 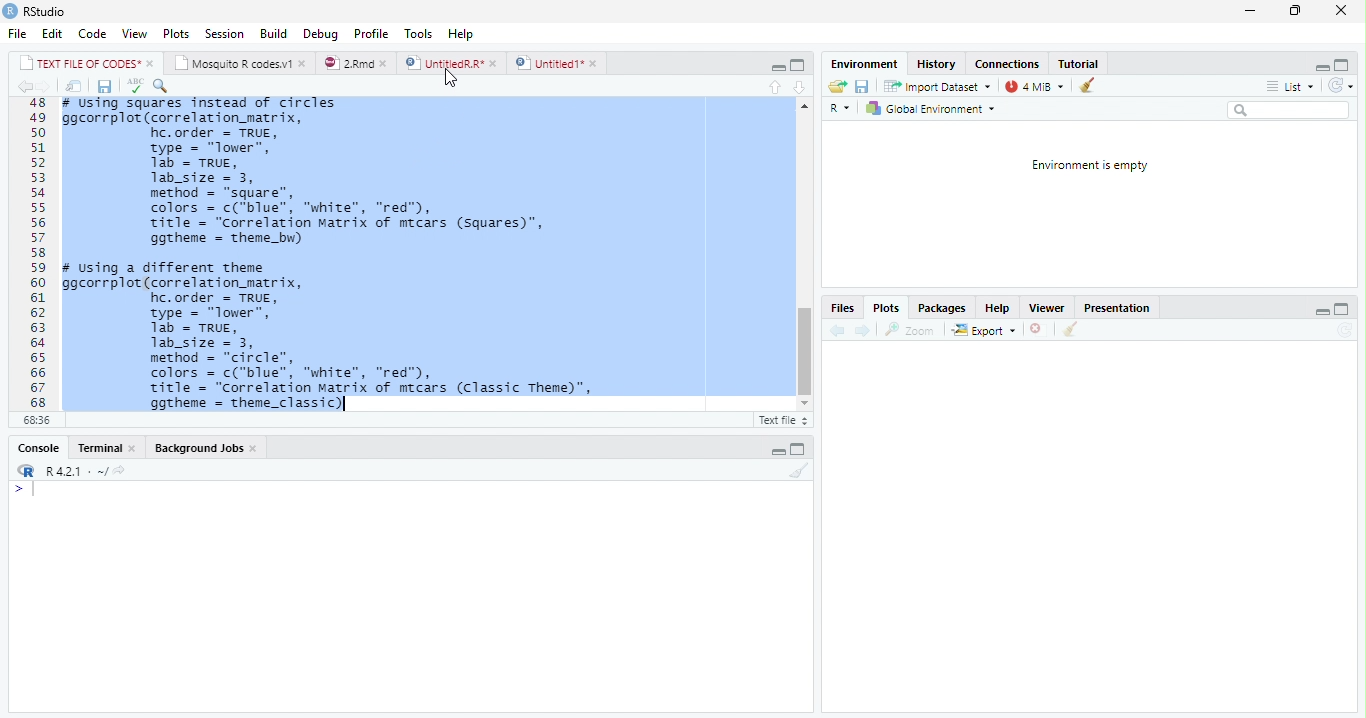 I want to click on go to next section/chunk, so click(x=800, y=85).